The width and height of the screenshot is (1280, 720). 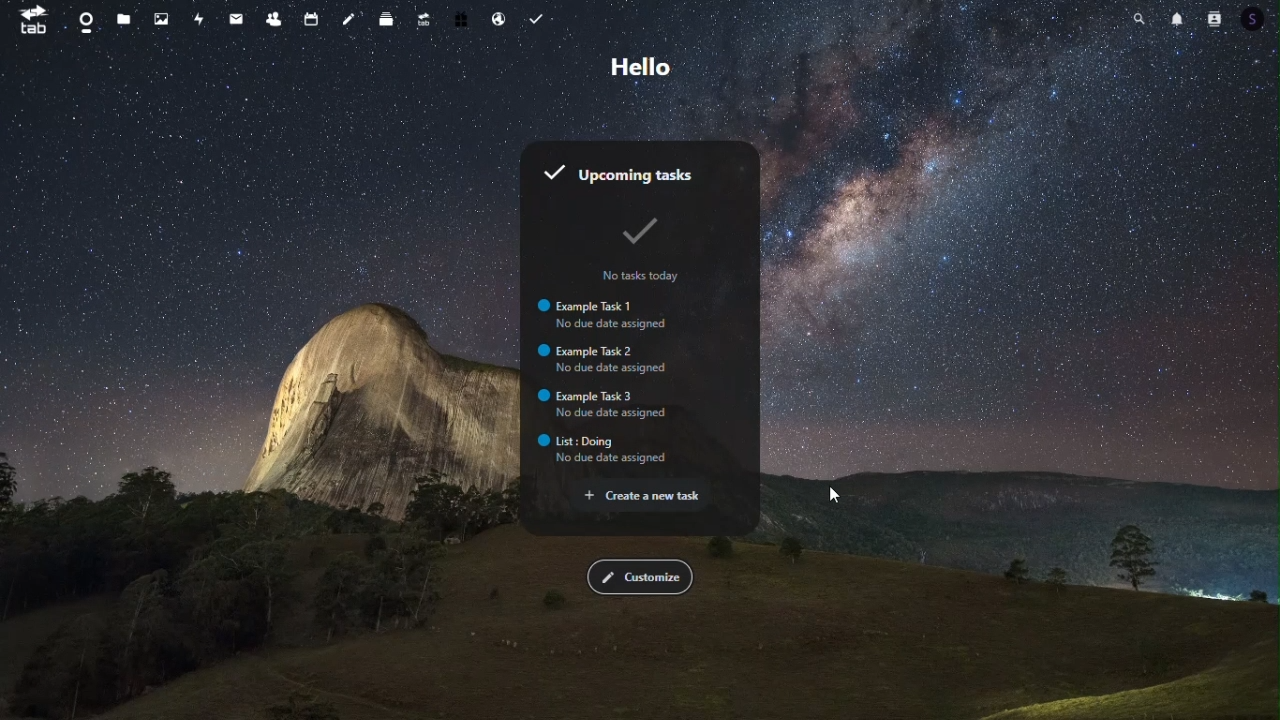 I want to click on photos, so click(x=163, y=20).